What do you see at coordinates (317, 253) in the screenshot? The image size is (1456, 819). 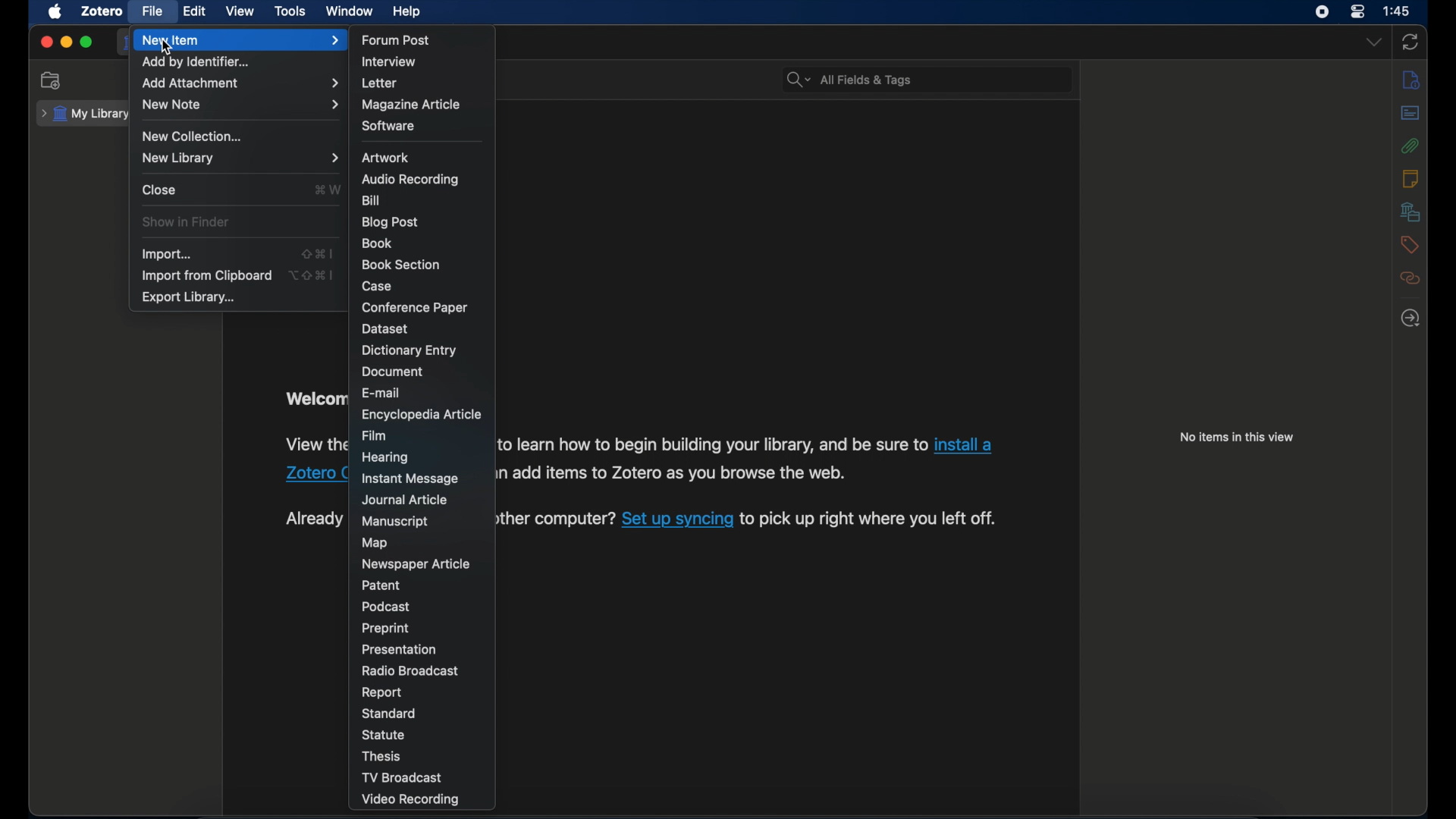 I see `shift + command + I` at bounding box center [317, 253].